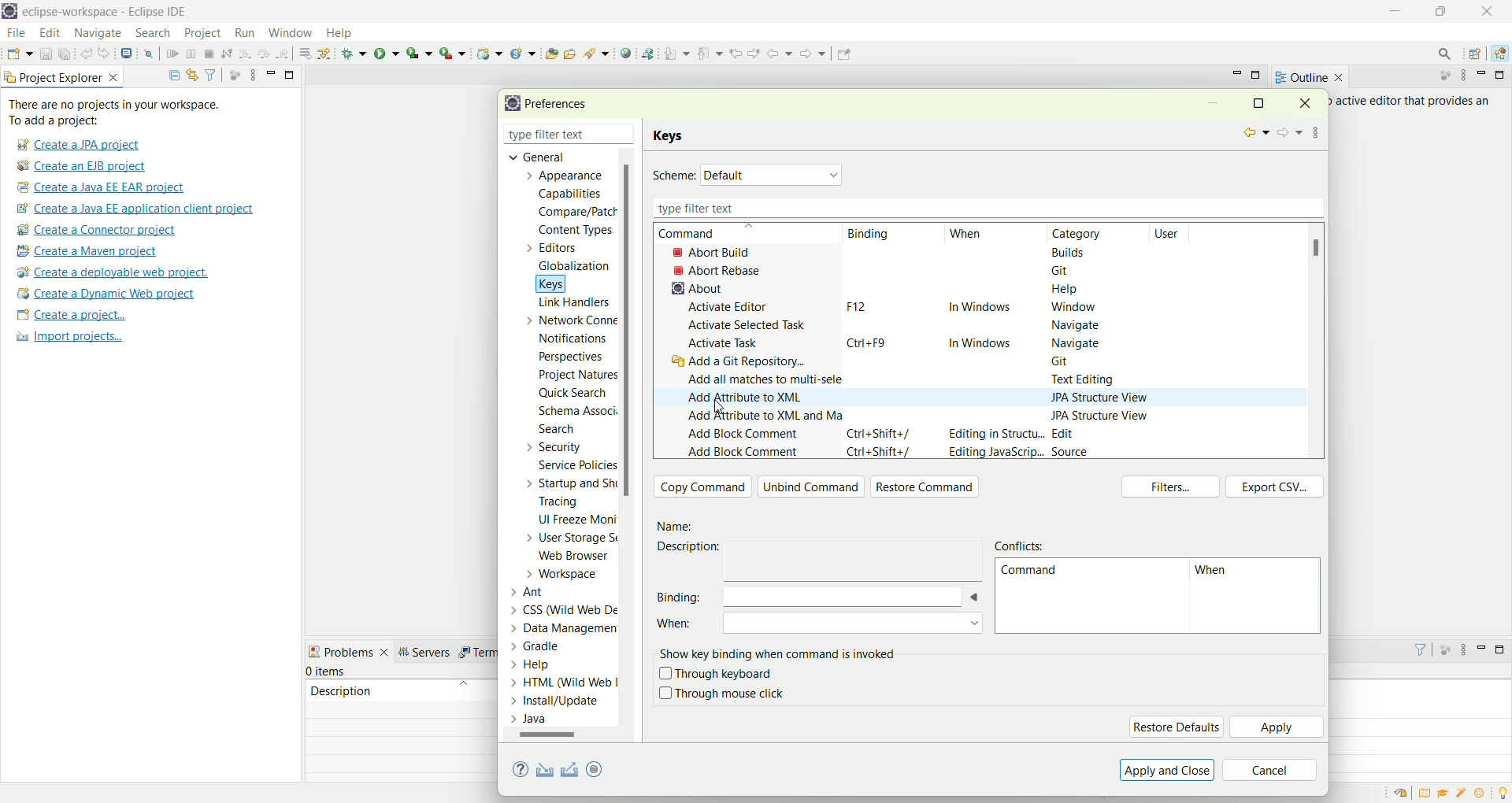 The image size is (1512, 803). I want to click on service policies, so click(576, 465).